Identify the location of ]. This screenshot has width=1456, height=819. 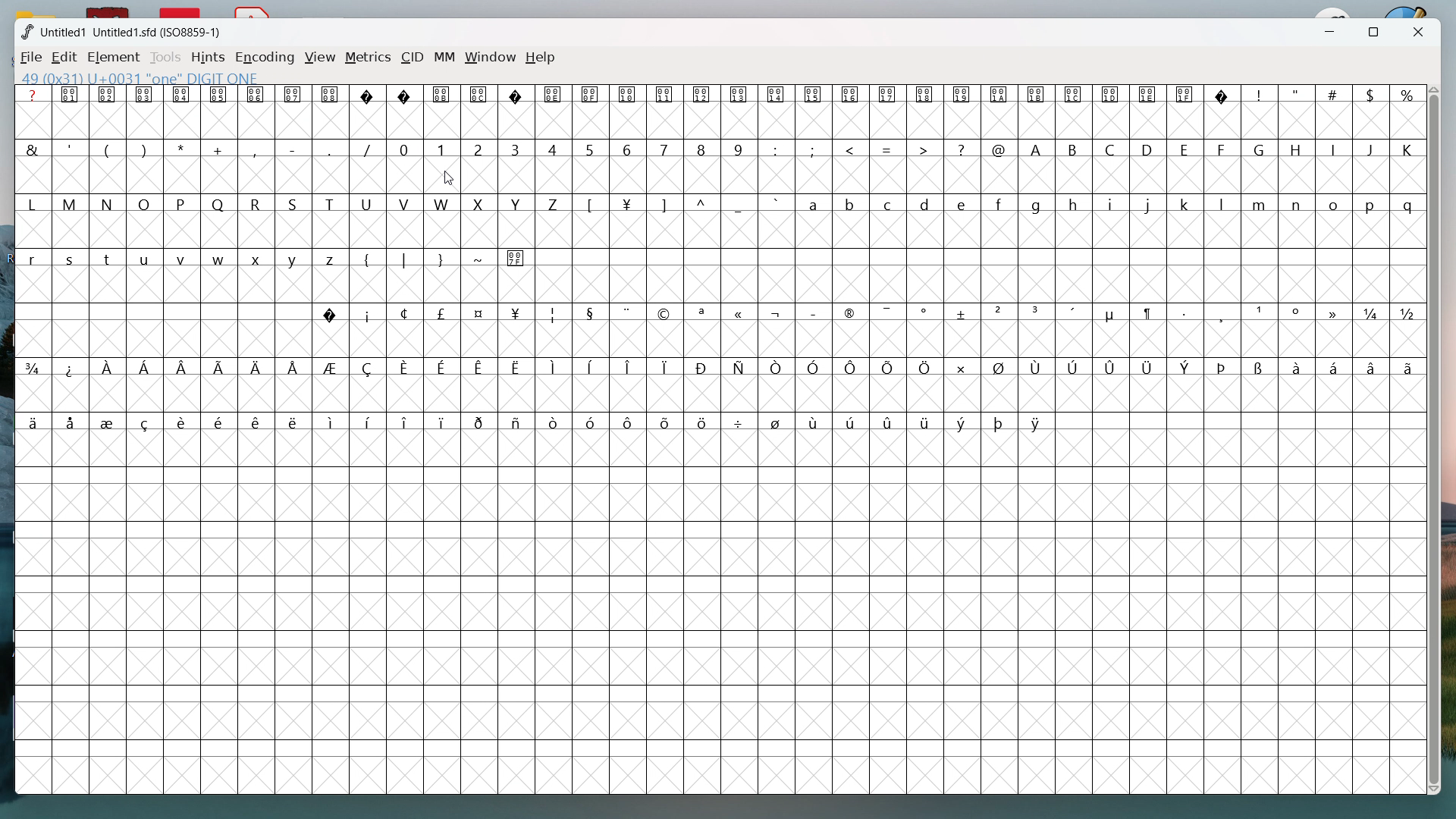
(667, 204).